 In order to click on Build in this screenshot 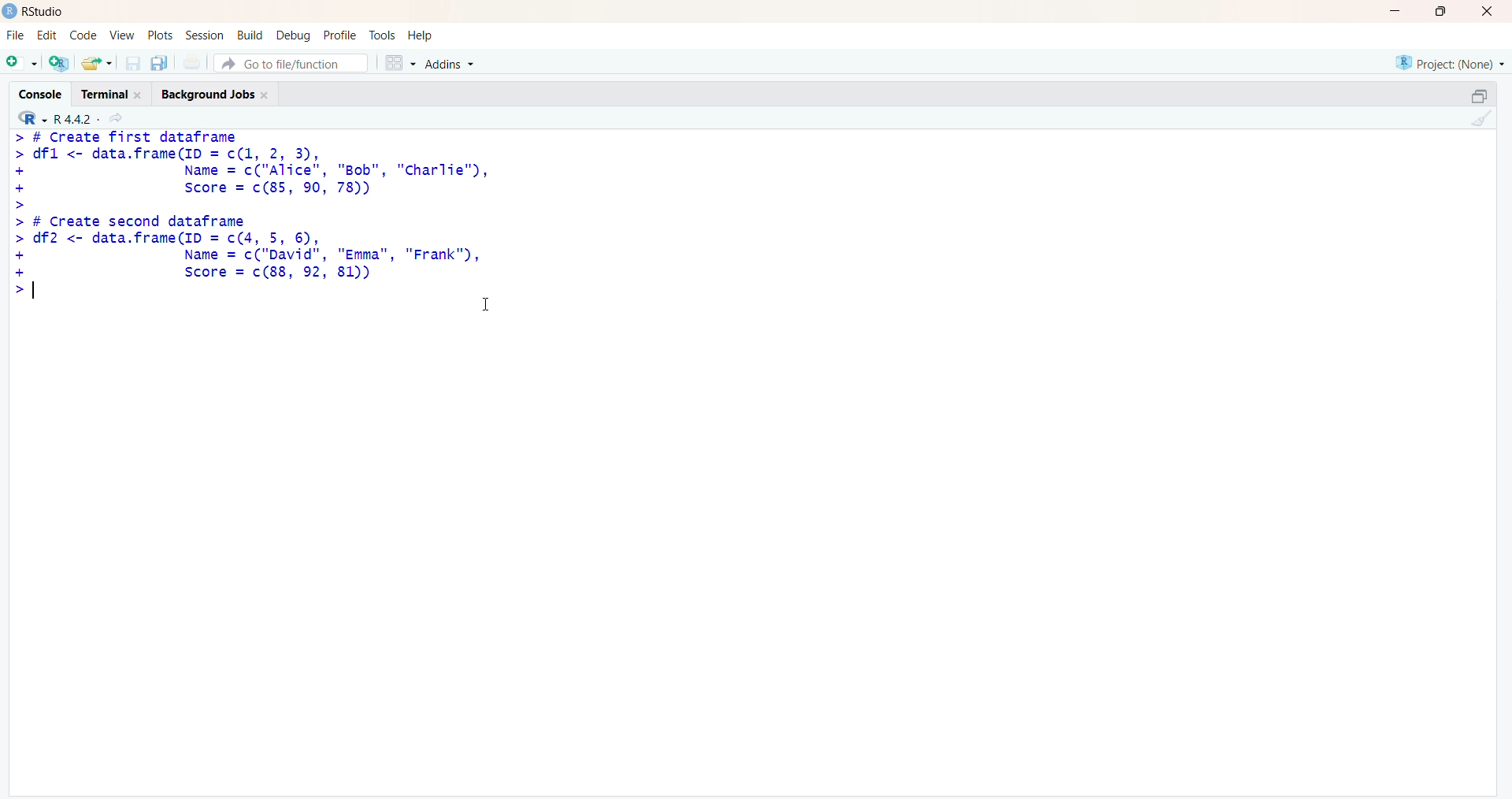, I will do `click(250, 35)`.